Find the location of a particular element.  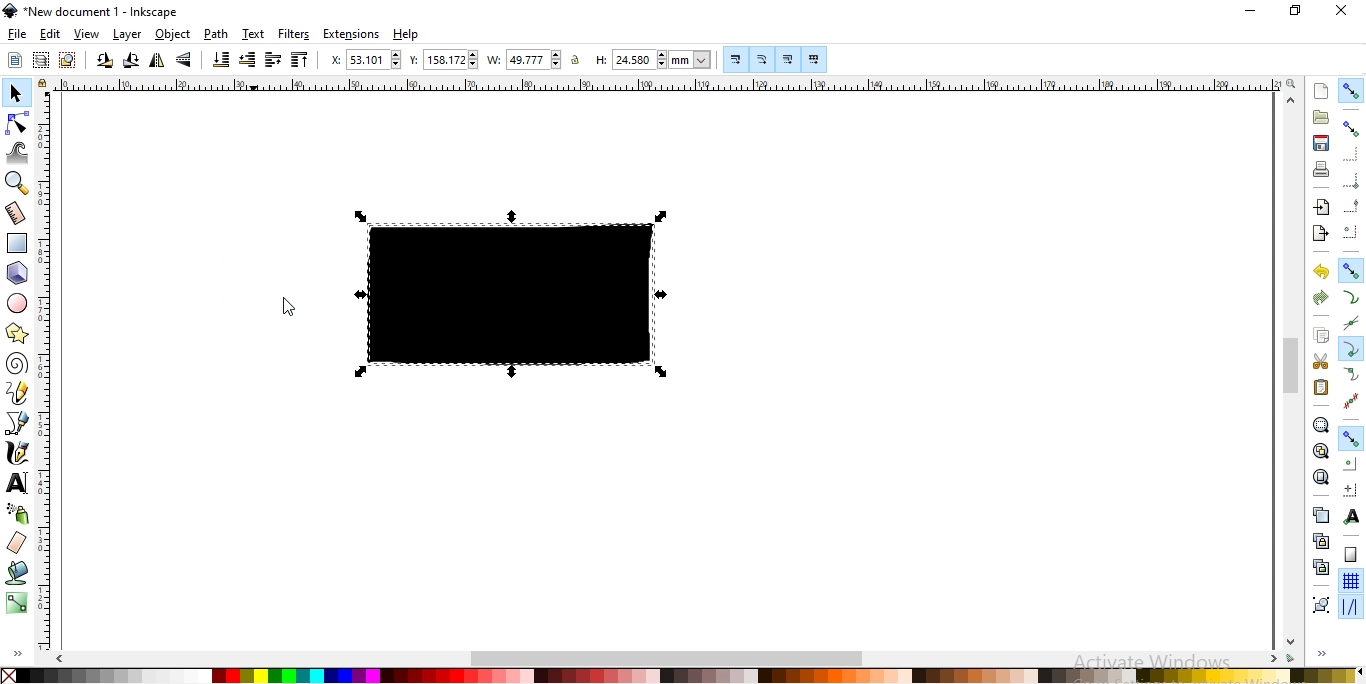

 is located at coordinates (1352, 437).